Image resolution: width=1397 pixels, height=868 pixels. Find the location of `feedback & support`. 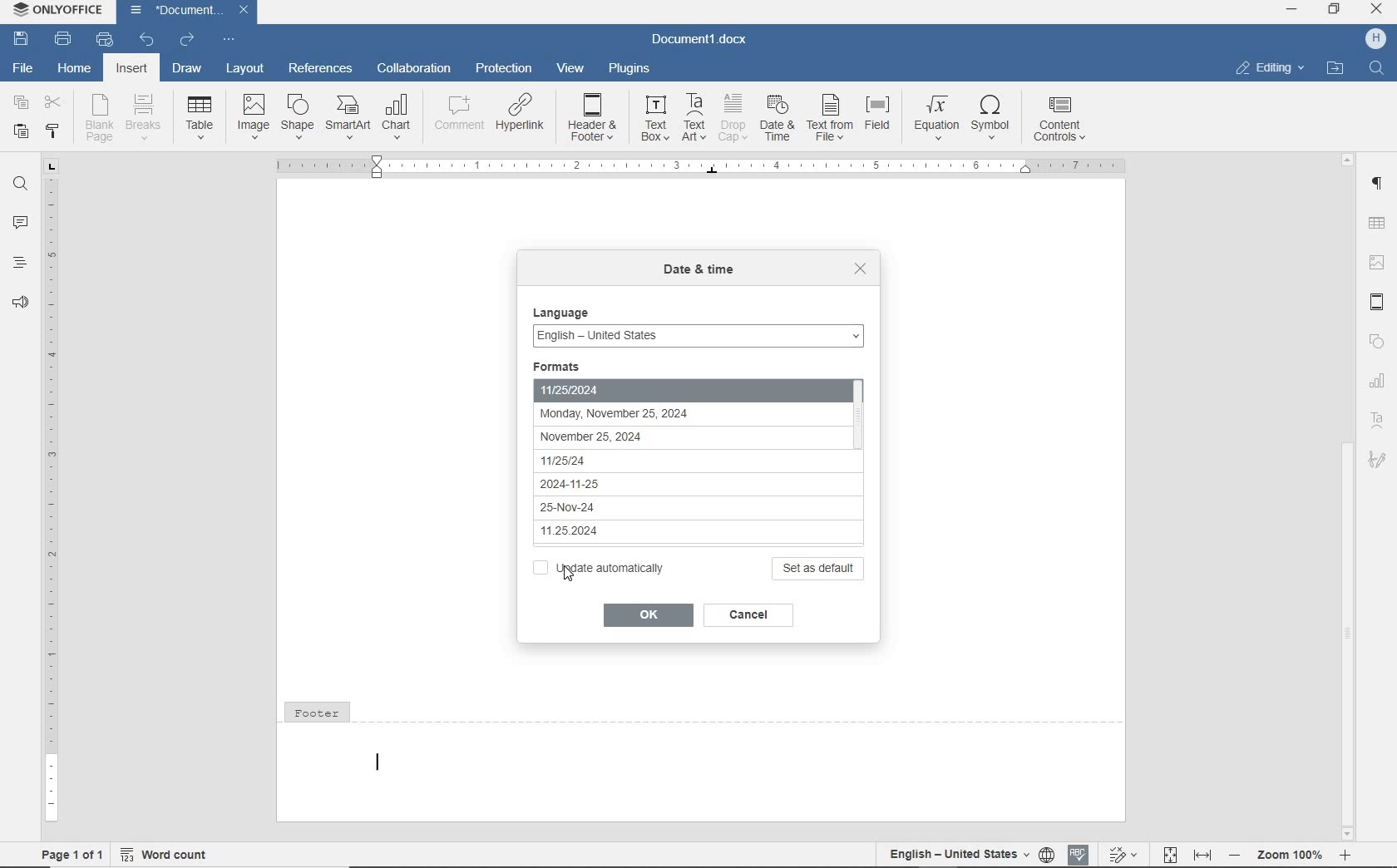

feedback & support is located at coordinates (19, 301).